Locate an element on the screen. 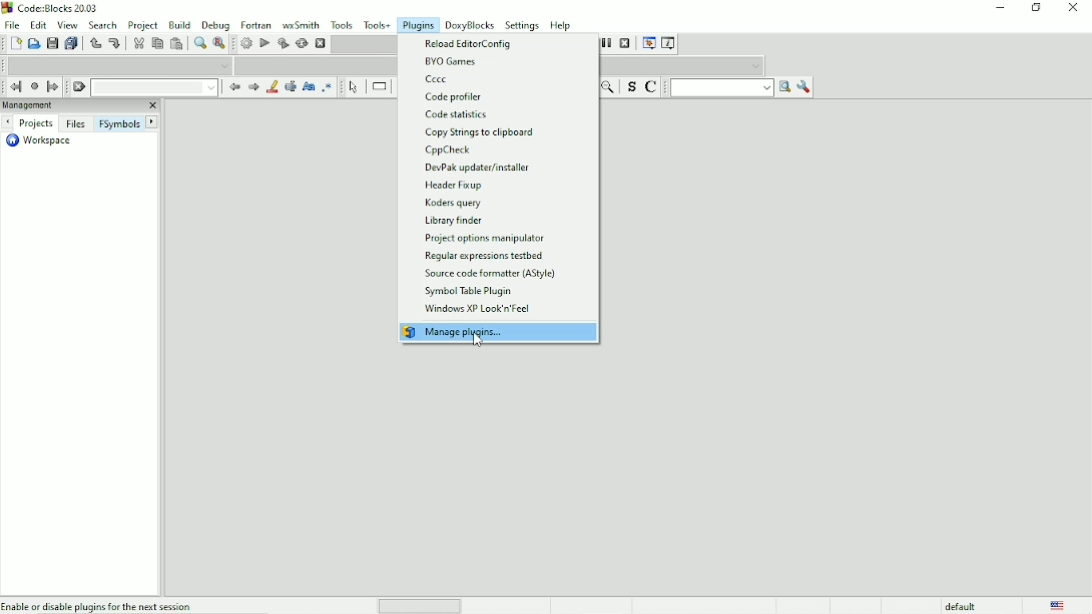 This screenshot has width=1092, height=614. Next is located at coordinates (253, 87).